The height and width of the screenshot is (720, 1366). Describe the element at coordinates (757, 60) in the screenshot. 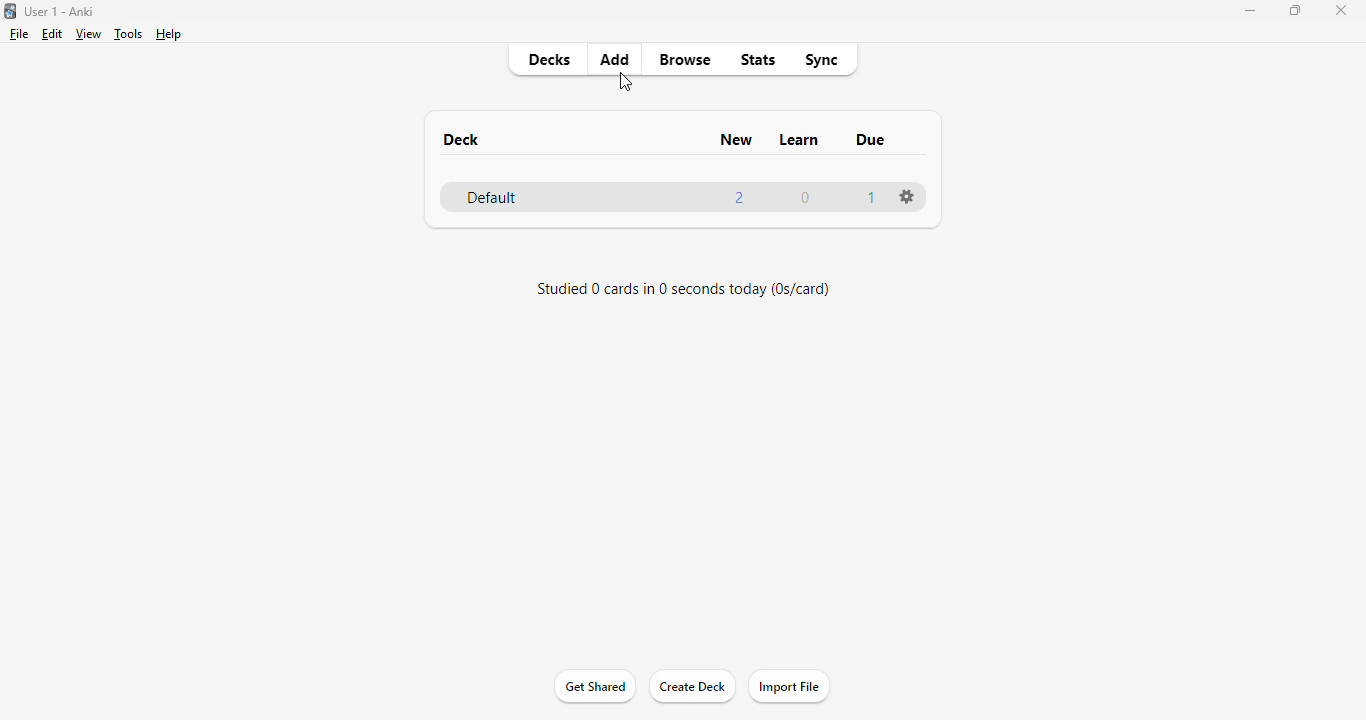

I see `stats` at that location.